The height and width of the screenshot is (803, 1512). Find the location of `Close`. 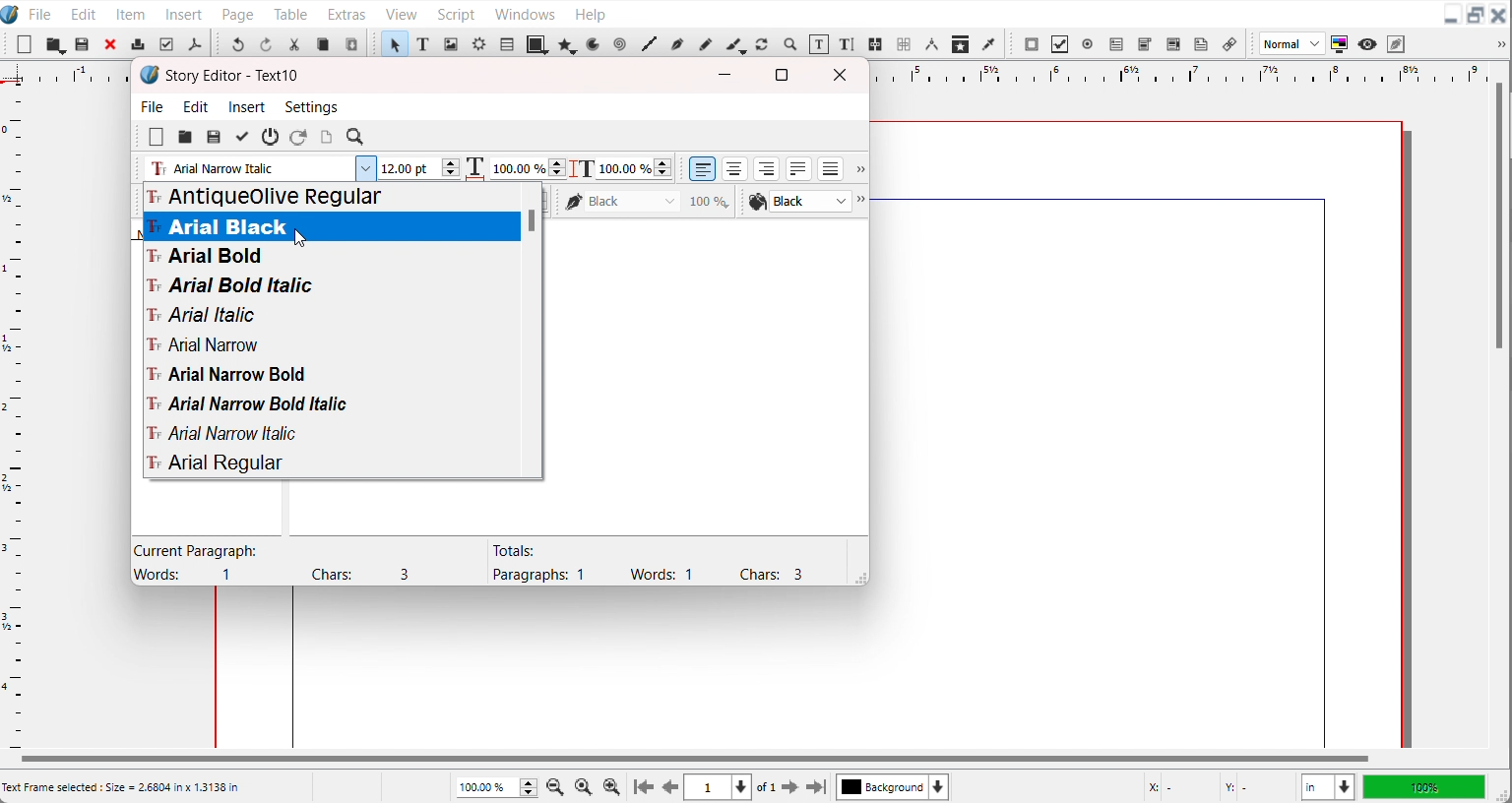

Close is located at coordinates (1499, 16).